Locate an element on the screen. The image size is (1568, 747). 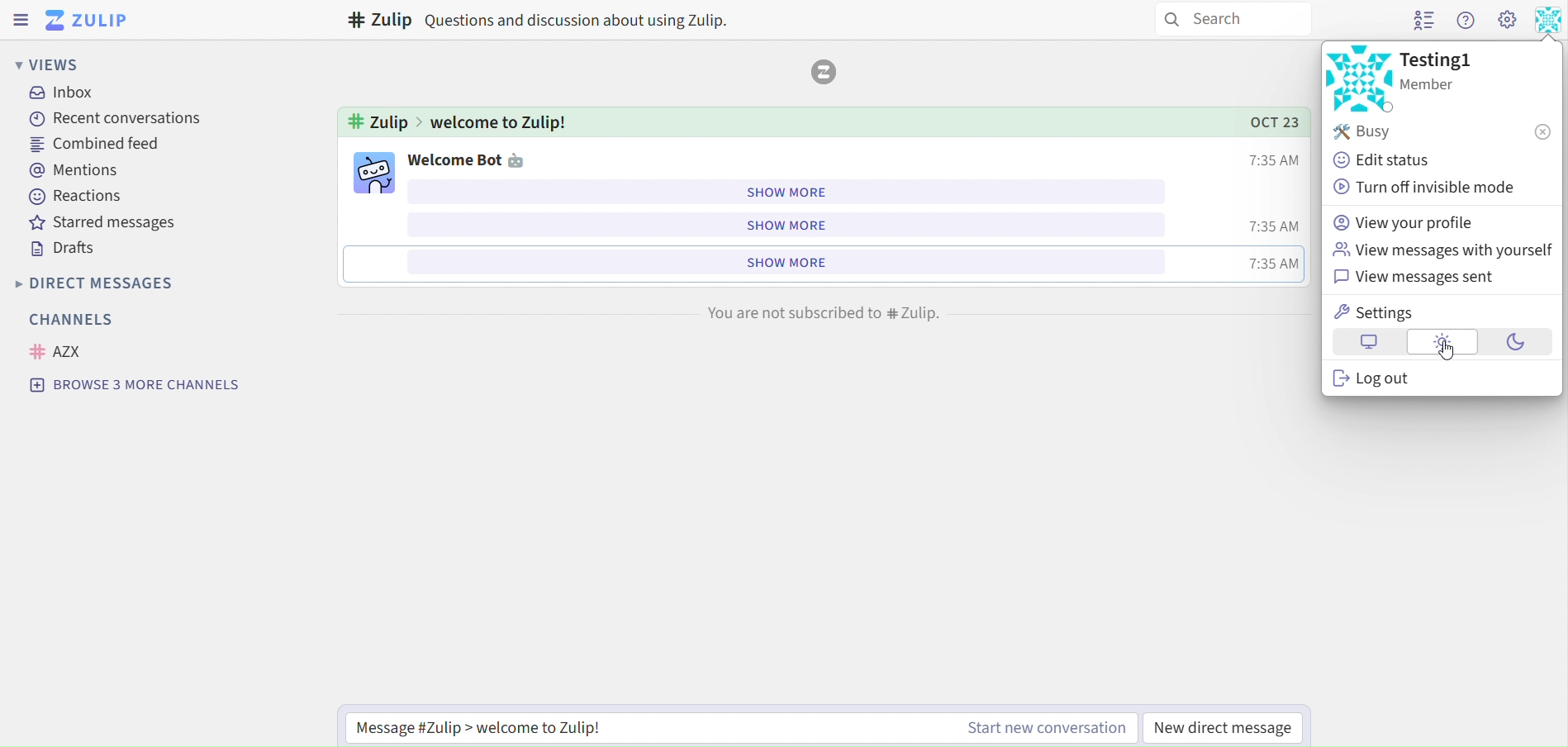
recent conversations is located at coordinates (114, 119).